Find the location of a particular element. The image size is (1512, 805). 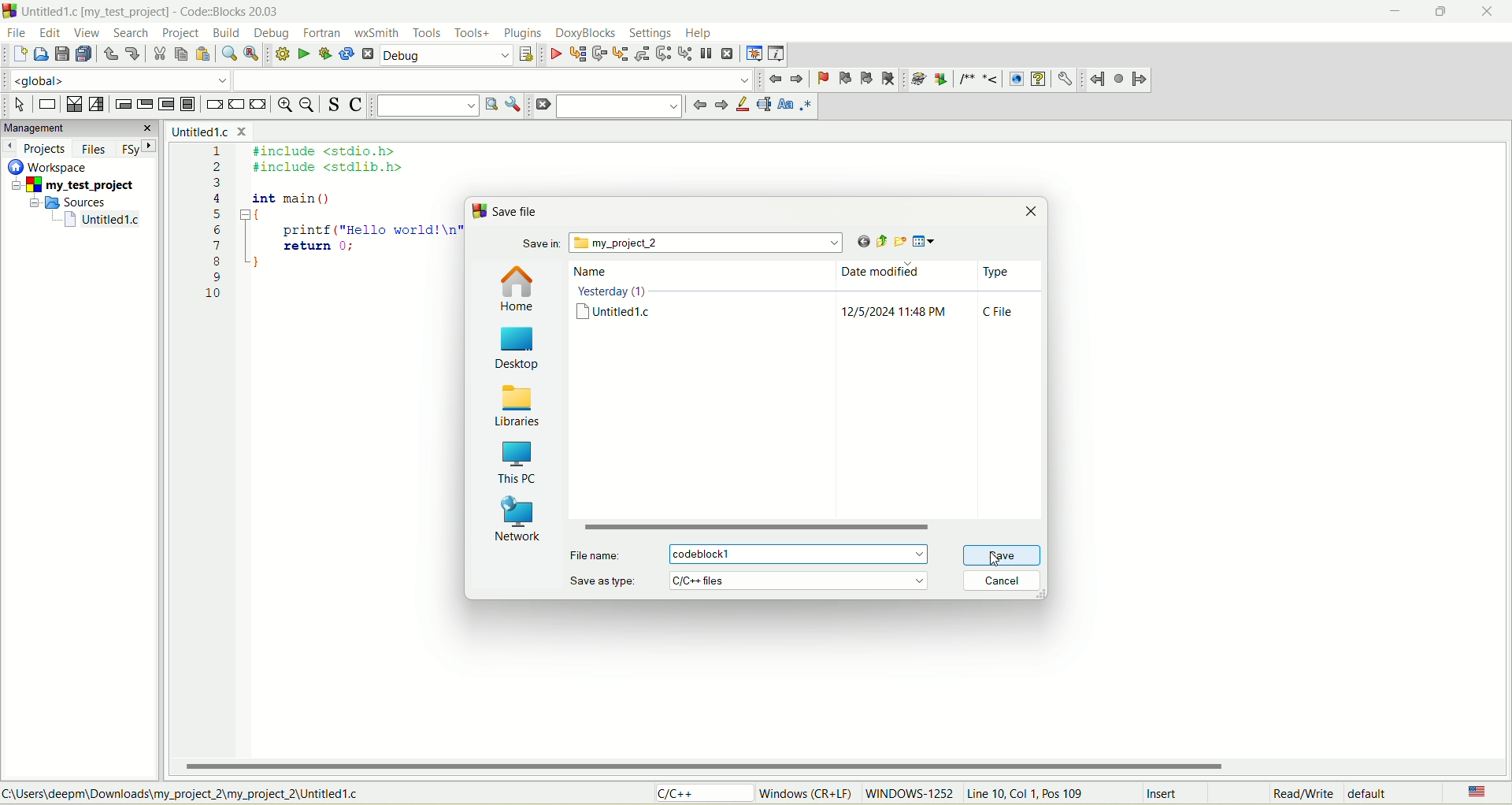

jump forward is located at coordinates (719, 106).